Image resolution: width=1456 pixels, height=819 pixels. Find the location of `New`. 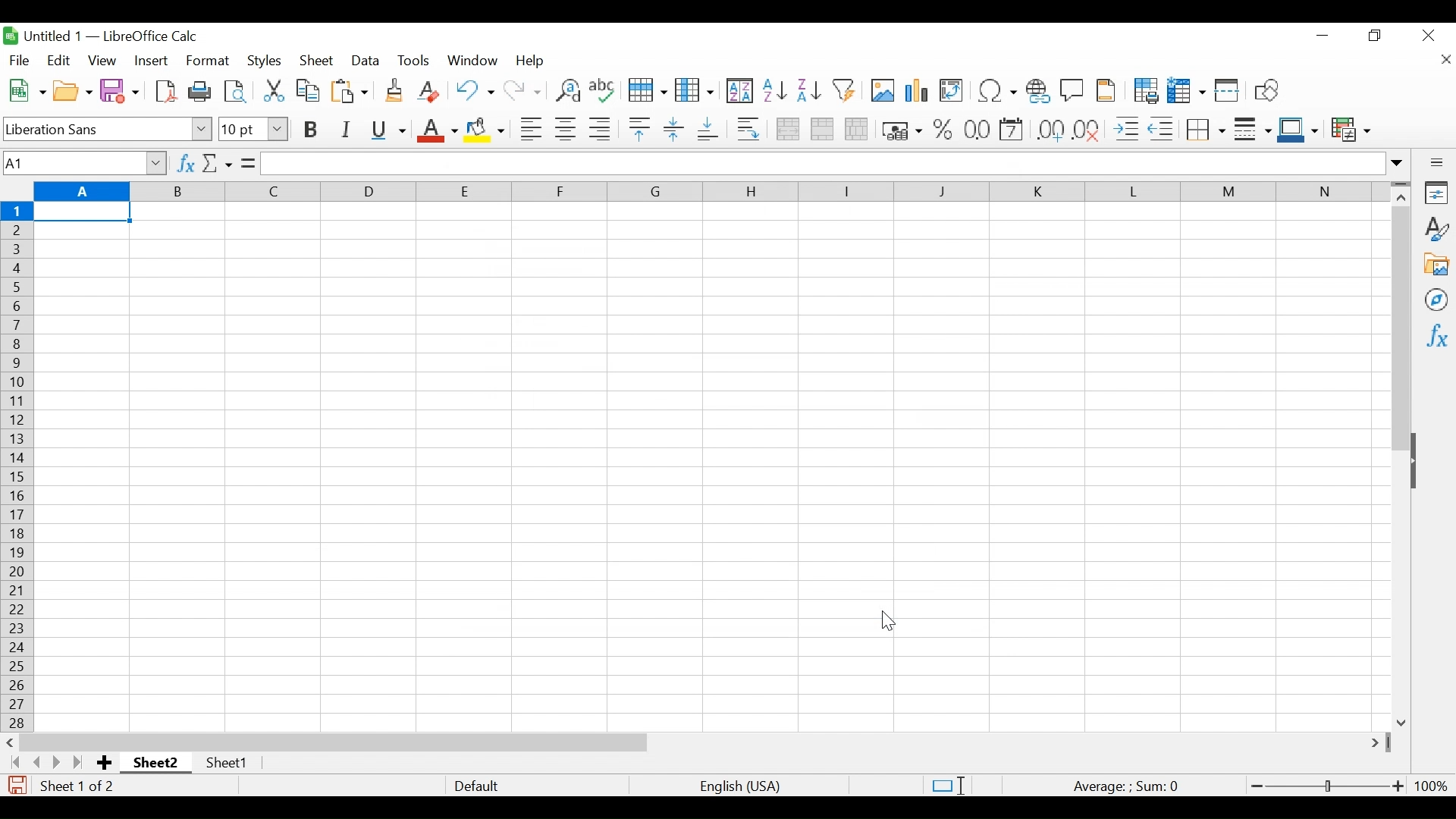

New is located at coordinates (26, 89).